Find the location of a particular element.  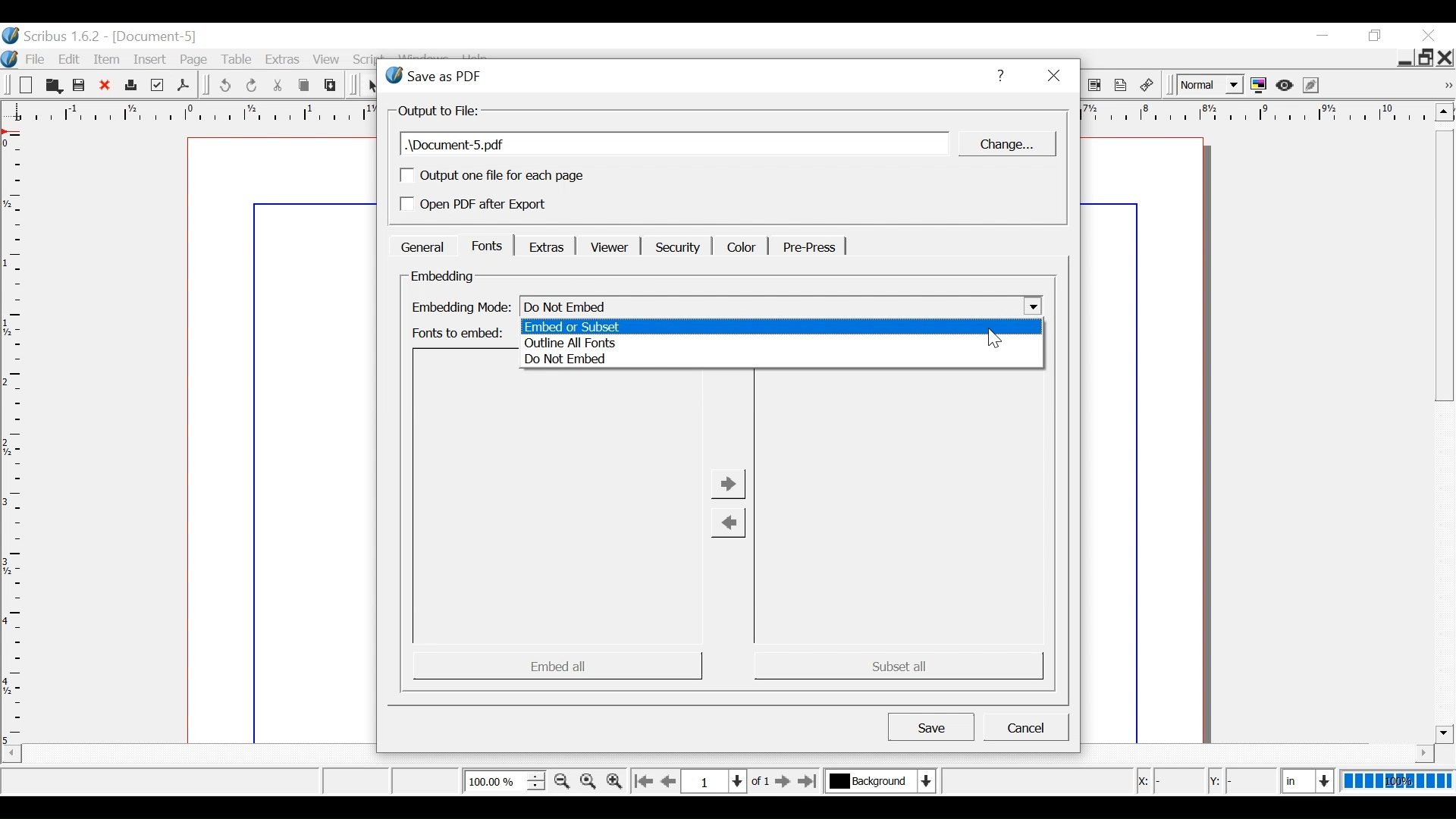

Embedding mode Select is located at coordinates (780, 308).